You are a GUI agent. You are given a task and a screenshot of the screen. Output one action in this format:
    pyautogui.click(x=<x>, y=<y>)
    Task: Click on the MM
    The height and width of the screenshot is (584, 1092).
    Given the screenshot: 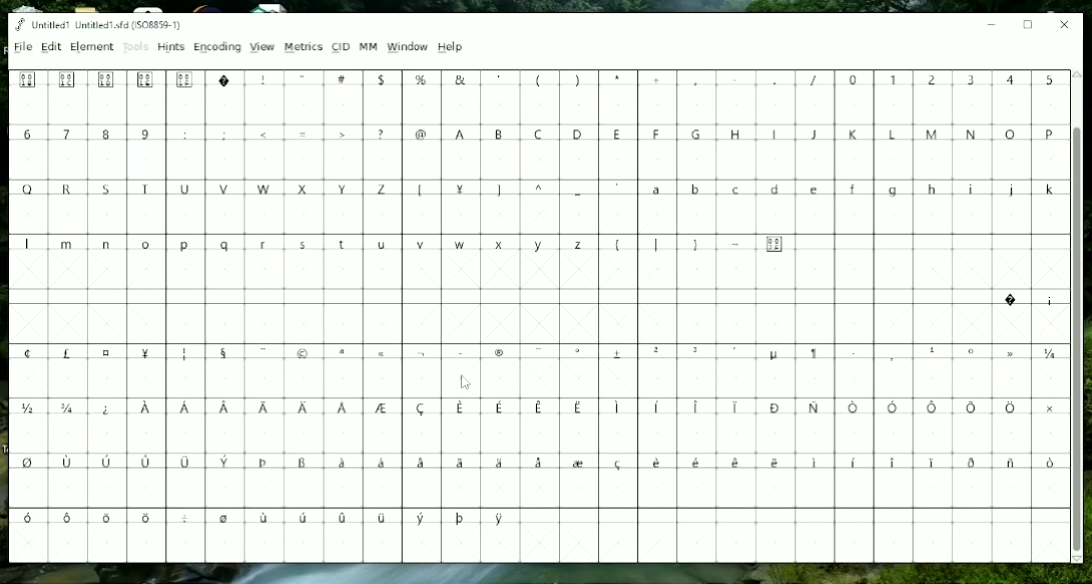 What is the action you would take?
    pyautogui.click(x=368, y=46)
    